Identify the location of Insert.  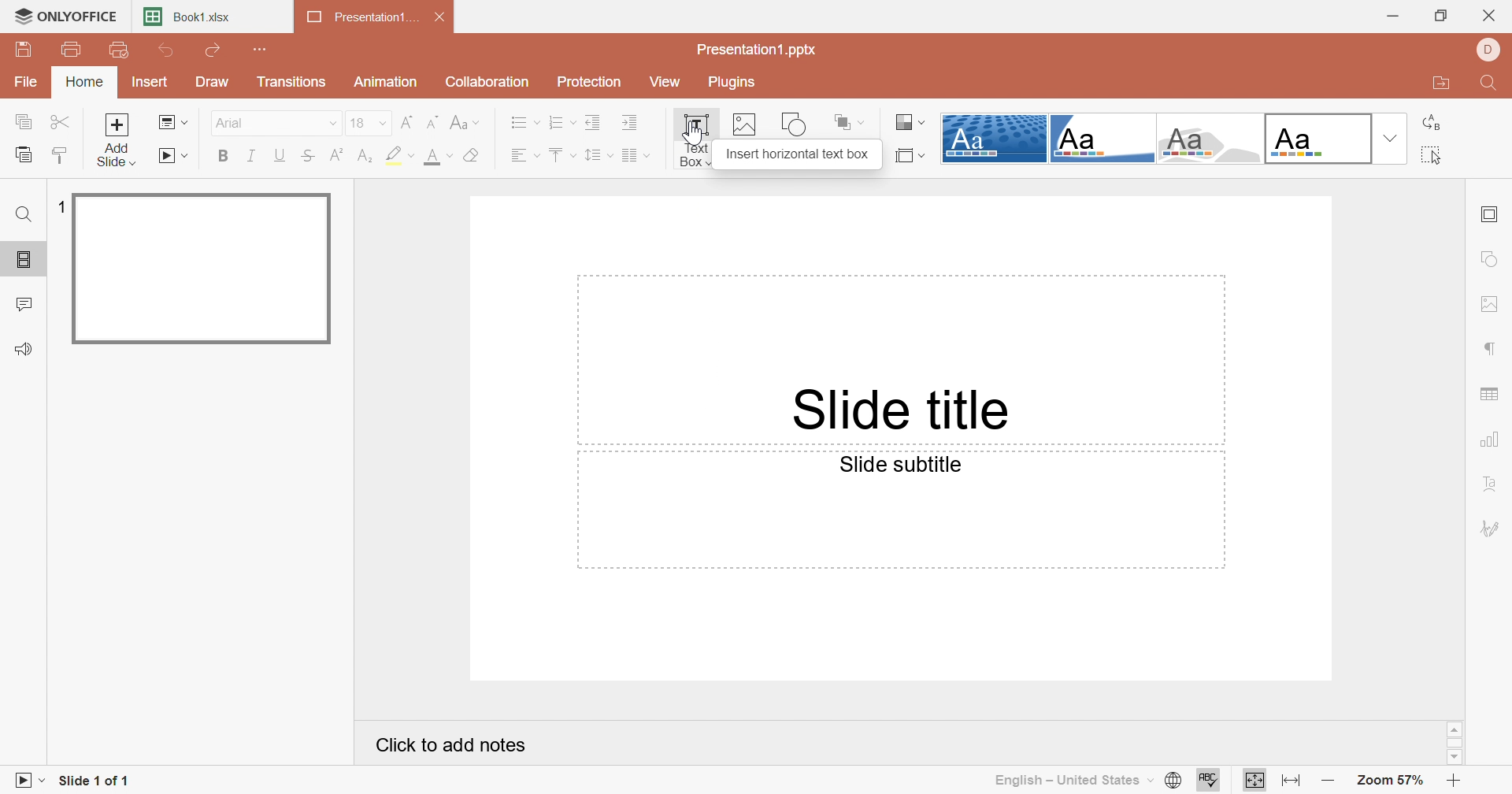
(147, 81).